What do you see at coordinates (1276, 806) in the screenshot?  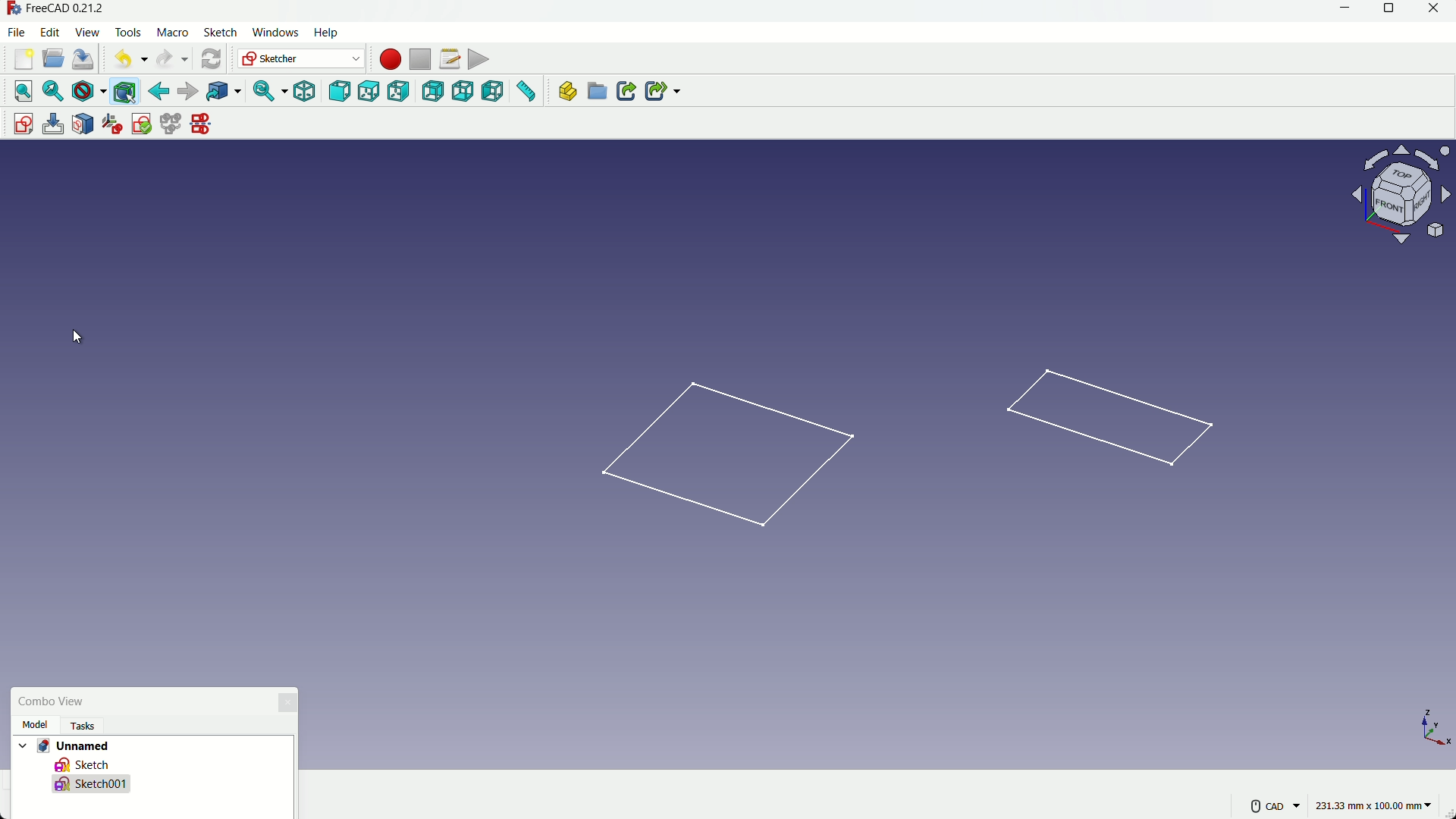 I see `more settings` at bounding box center [1276, 806].